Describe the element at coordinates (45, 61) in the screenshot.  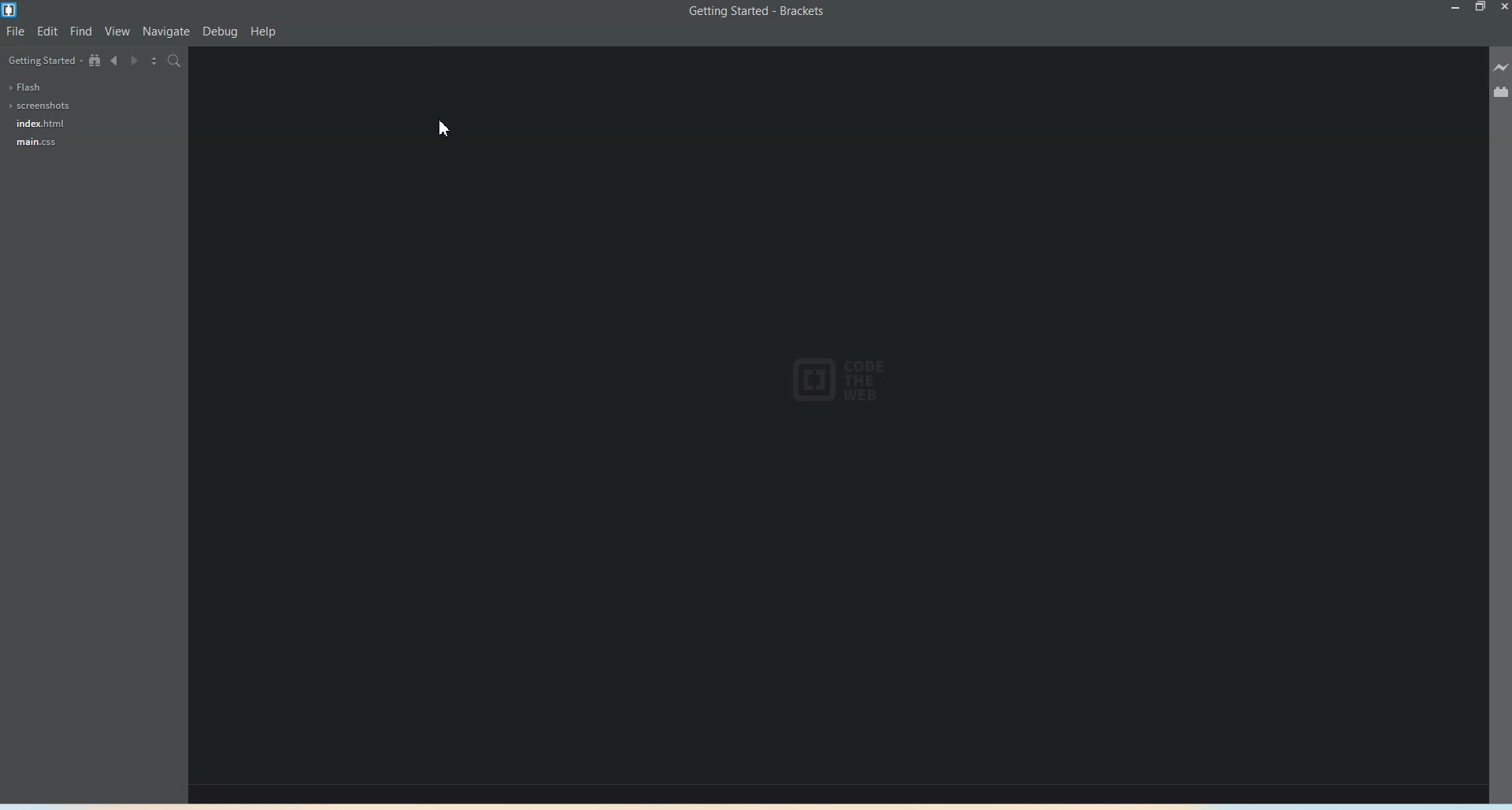
I see `Getting Started` at that location.